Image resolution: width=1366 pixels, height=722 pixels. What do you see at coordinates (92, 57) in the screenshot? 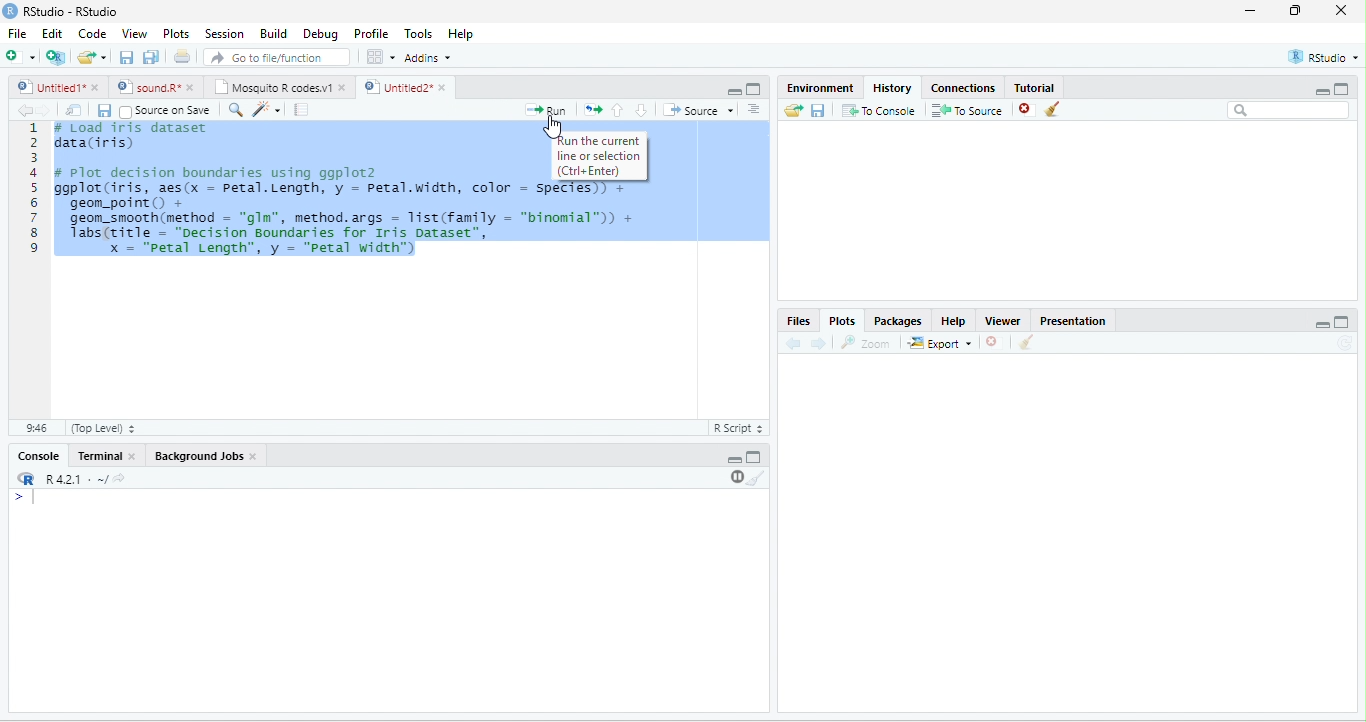
I see `open file` at bounding box center [92, 57].